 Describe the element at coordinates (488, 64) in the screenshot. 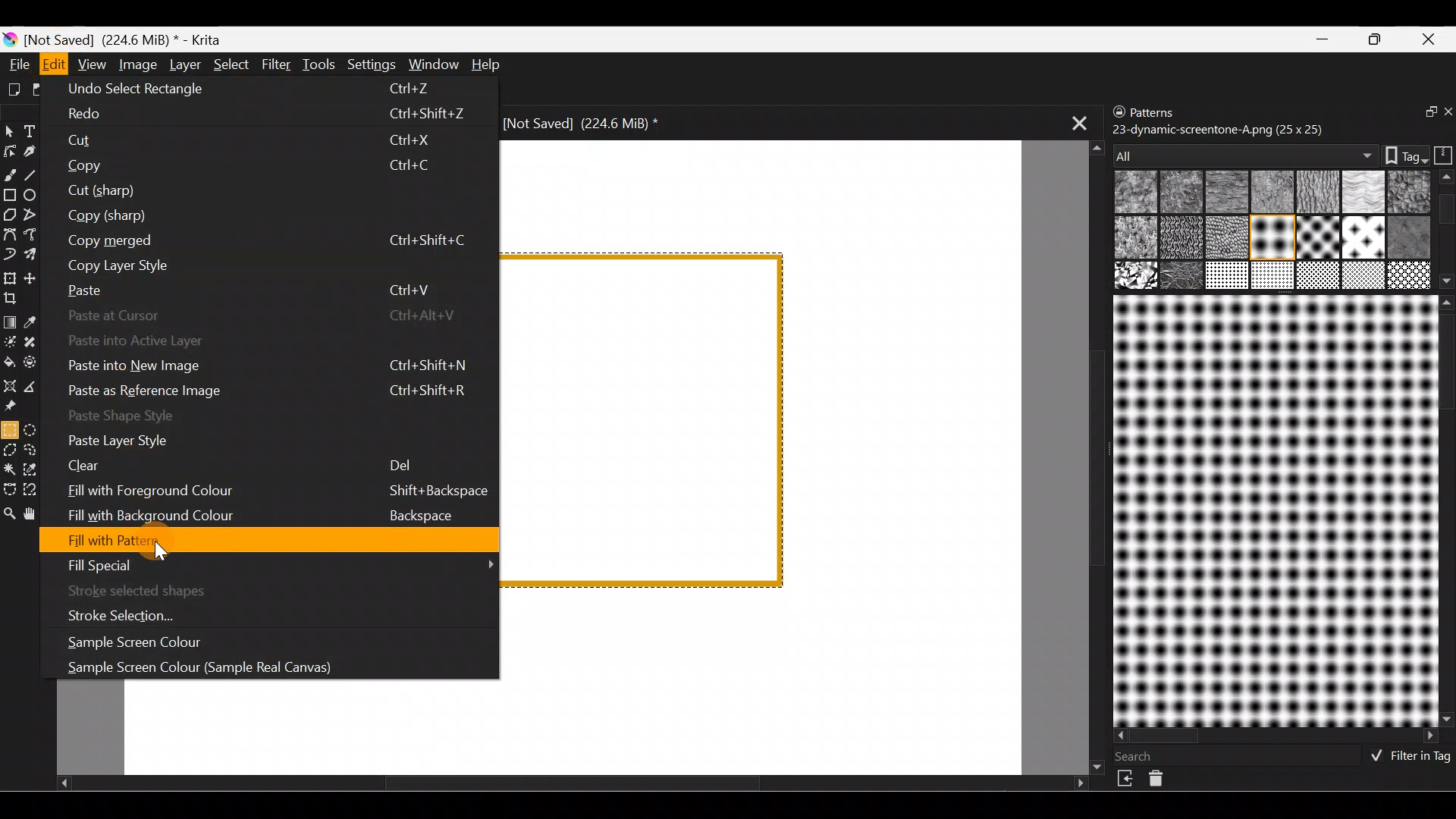

I see `Help` at that location.